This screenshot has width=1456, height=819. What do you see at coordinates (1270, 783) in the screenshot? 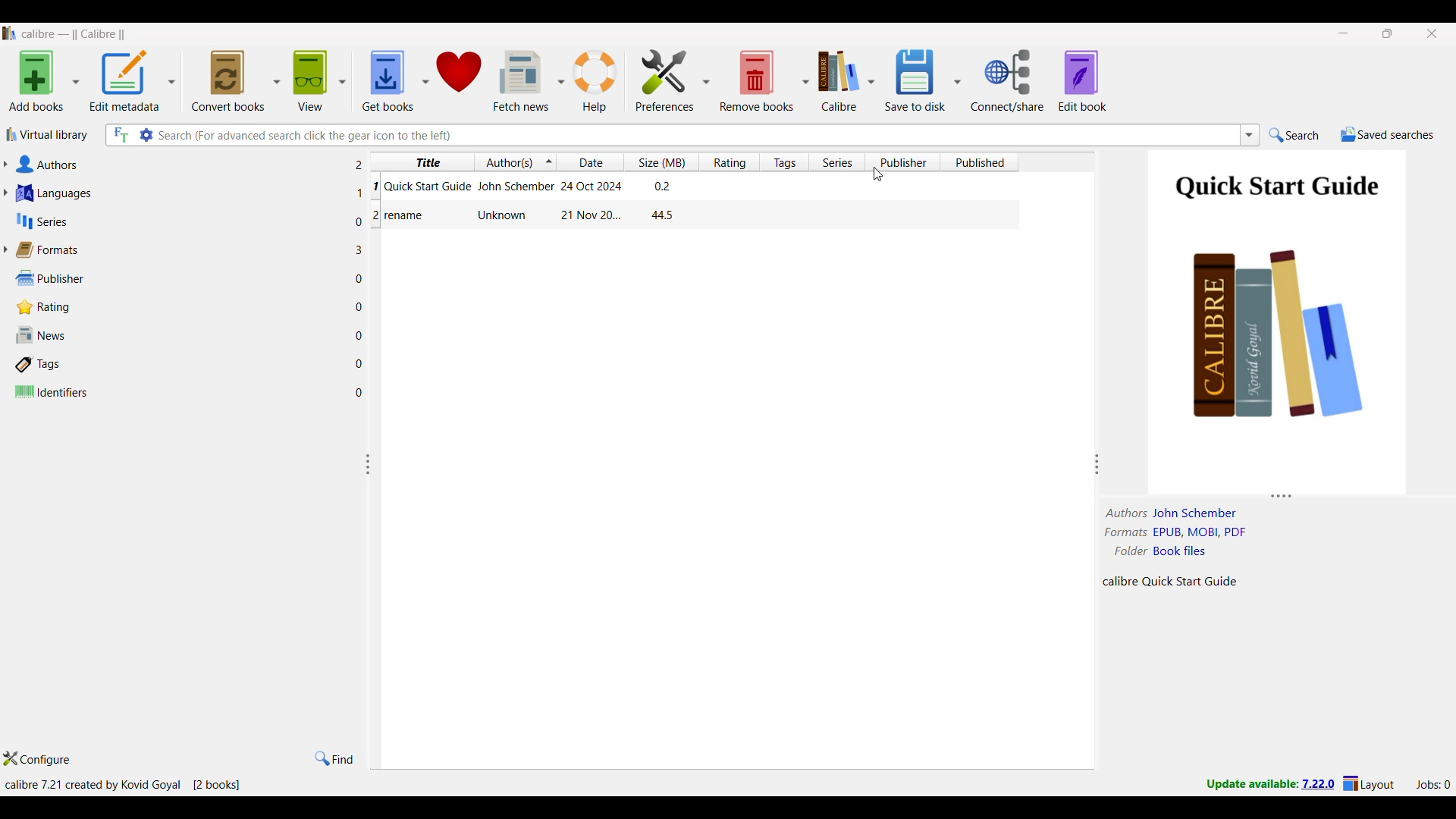
I see `New version update notifcation` at bounding box center [1270, 783].